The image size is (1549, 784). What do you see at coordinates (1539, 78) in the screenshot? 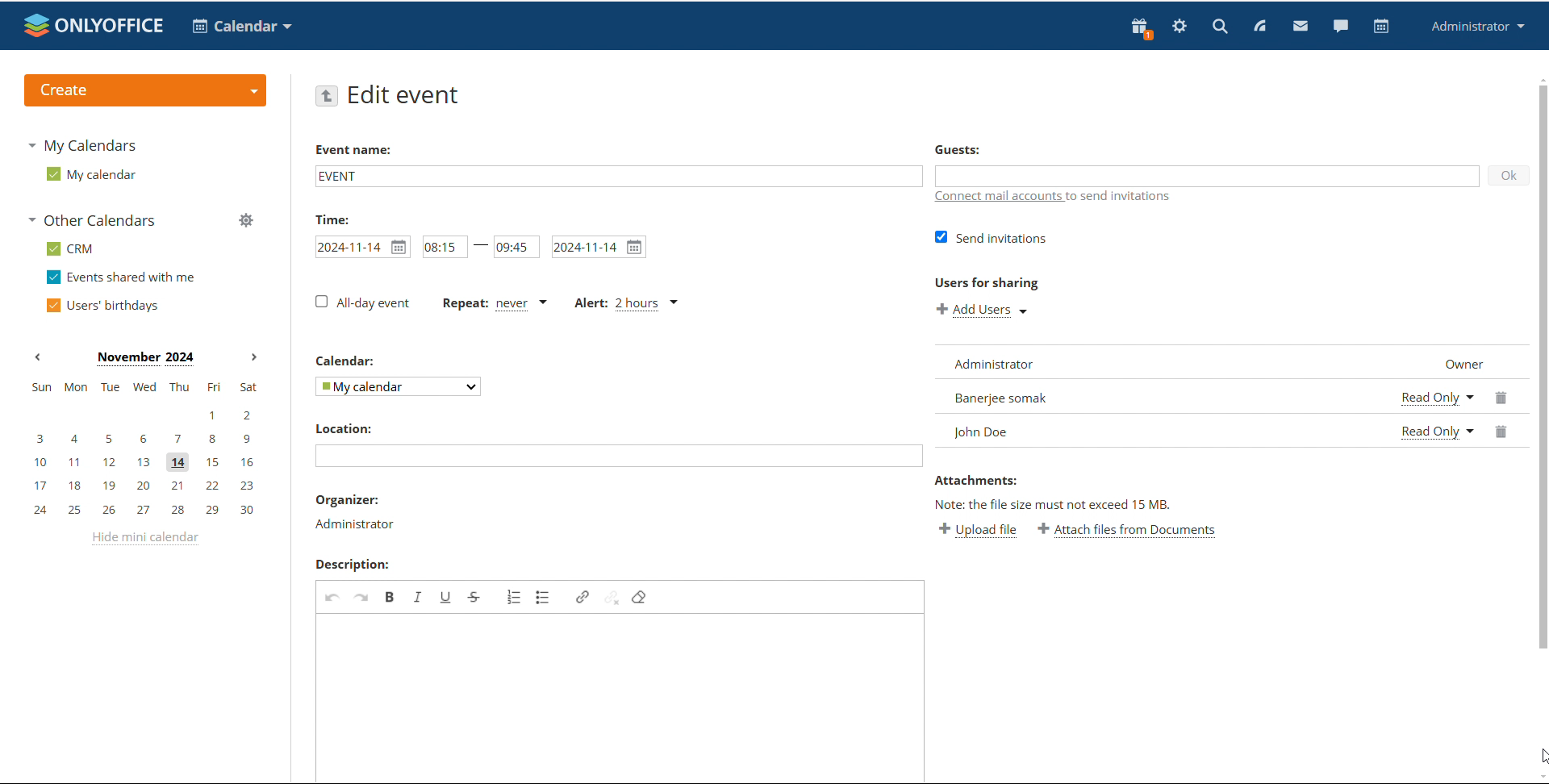
I see `scroll up` at bounding box center [1539, 78].